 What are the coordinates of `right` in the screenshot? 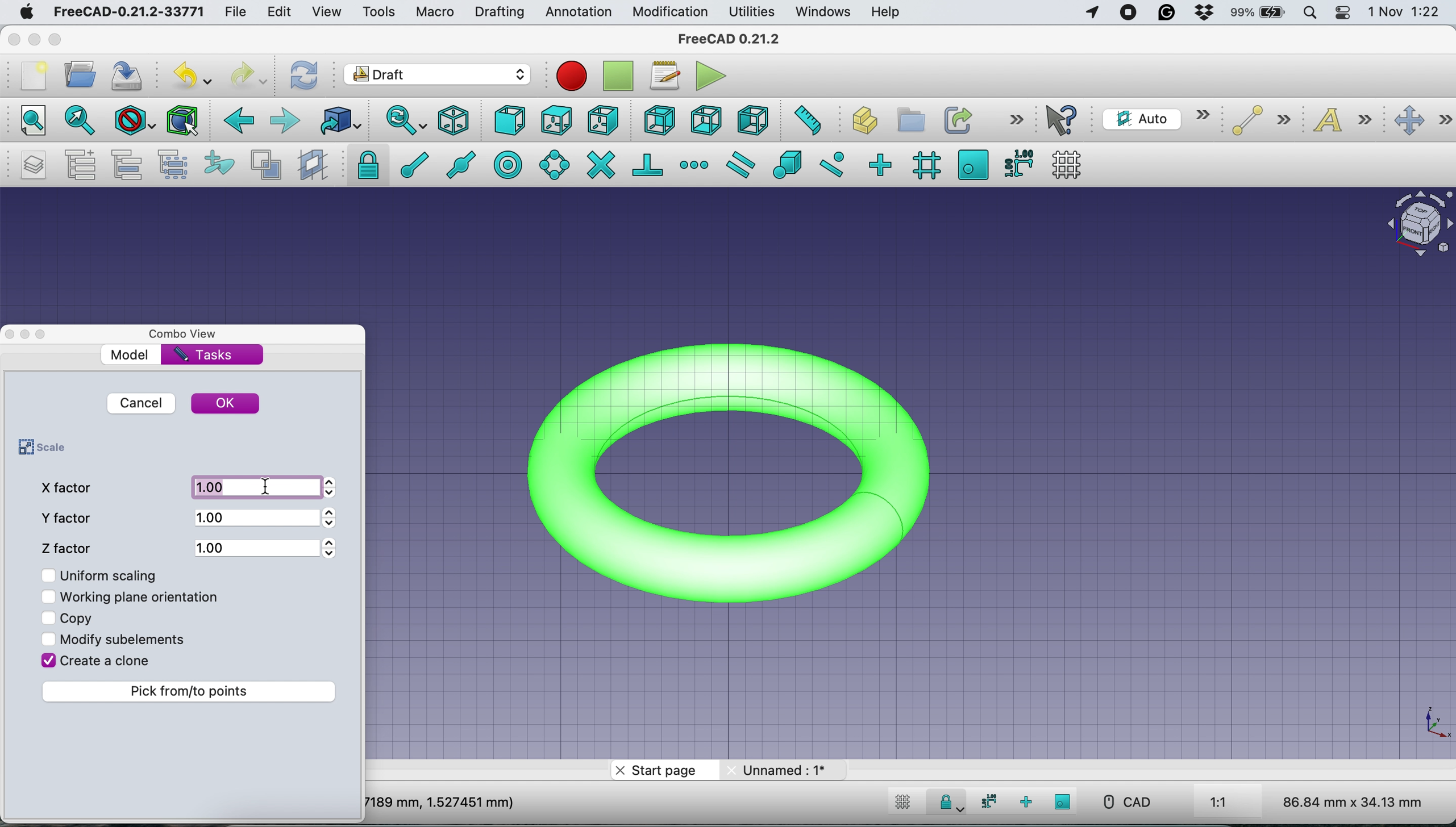 It's located at (602, 122).